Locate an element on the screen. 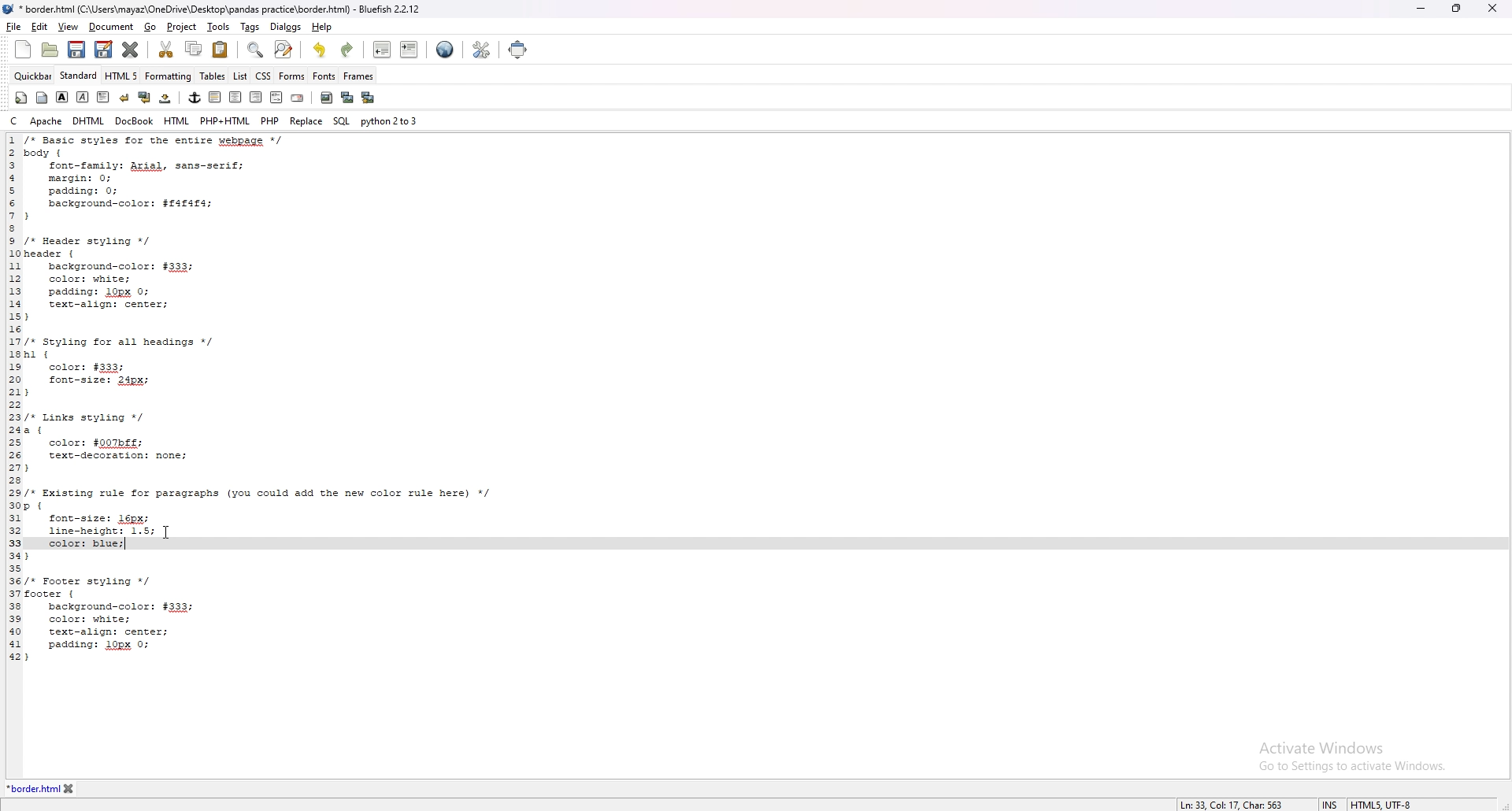  save is located at coordinates (77, 50).